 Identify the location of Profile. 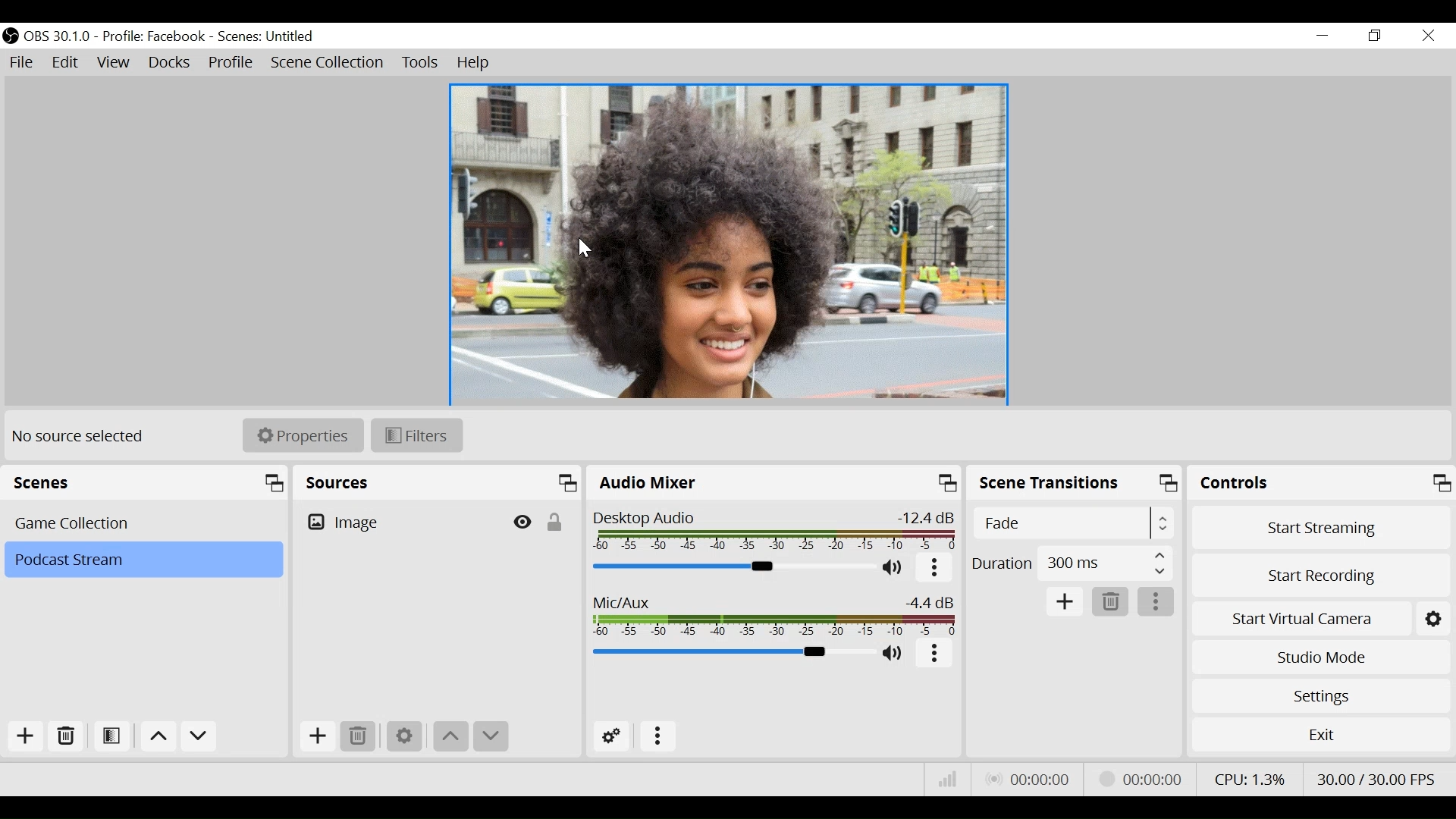
(155, 37).